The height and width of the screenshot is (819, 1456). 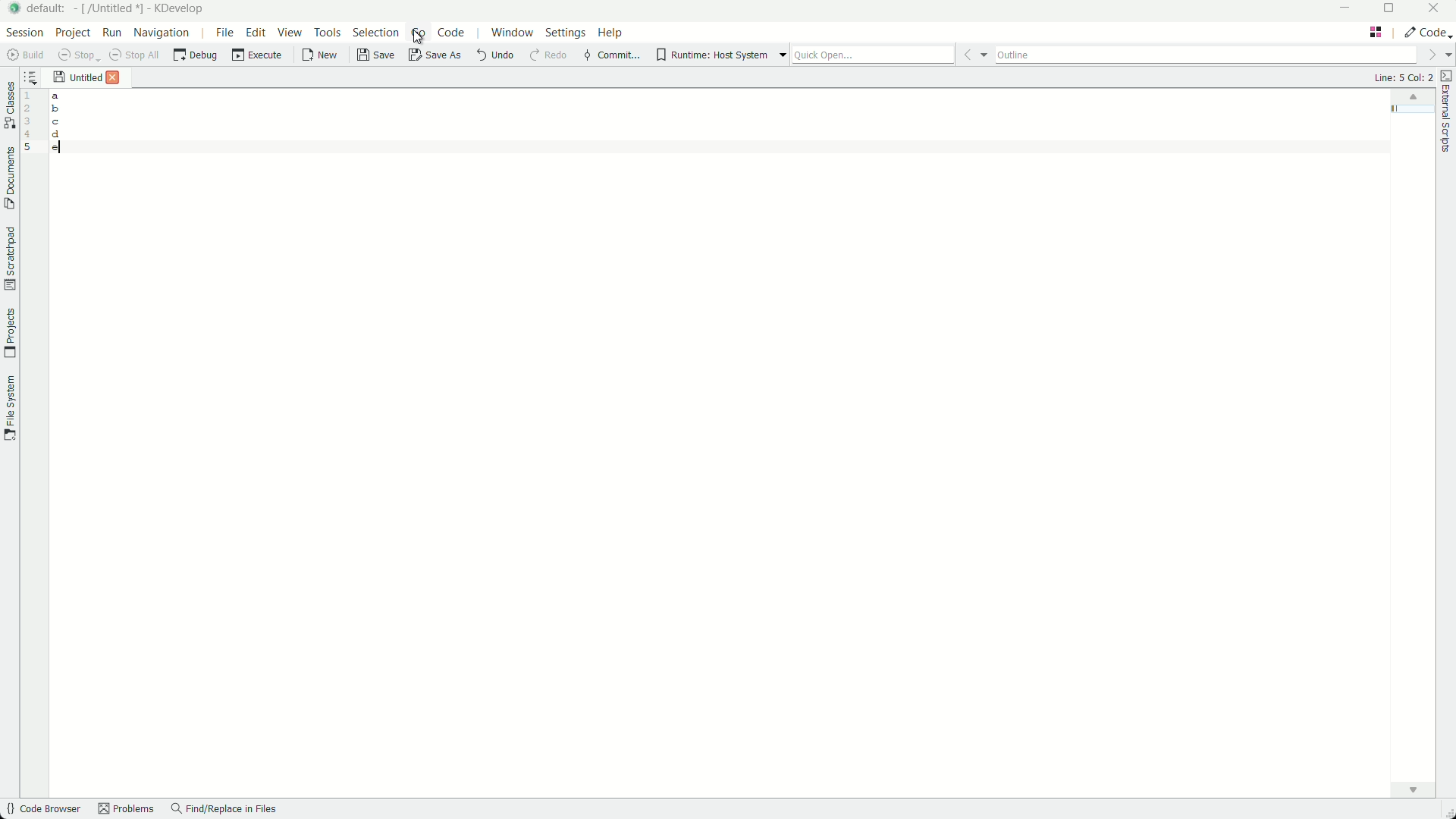 I want to click on untitled, so click(x=84, y=78).